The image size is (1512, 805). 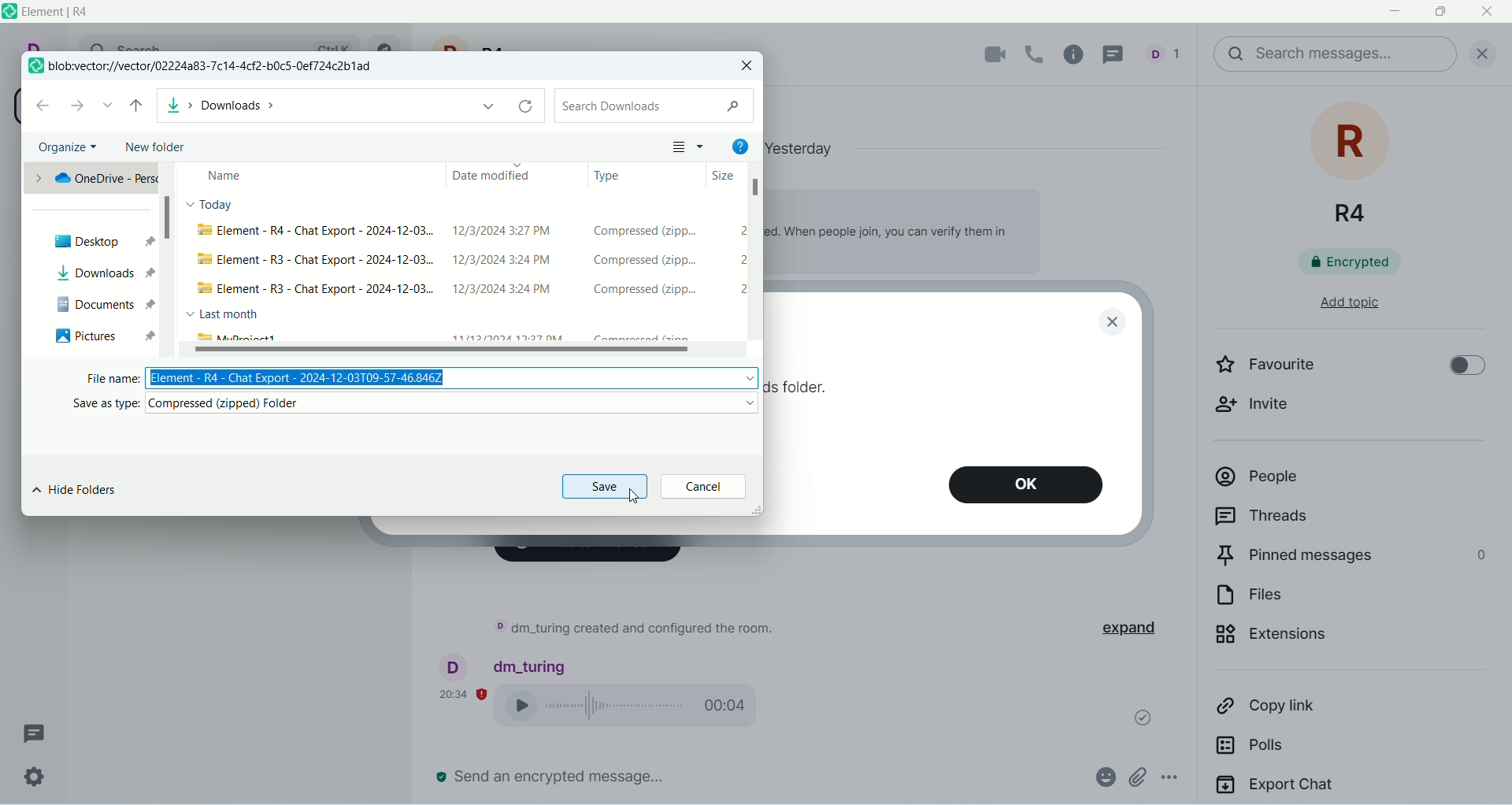 I want to click on search documents, so click(x=659, y=105).